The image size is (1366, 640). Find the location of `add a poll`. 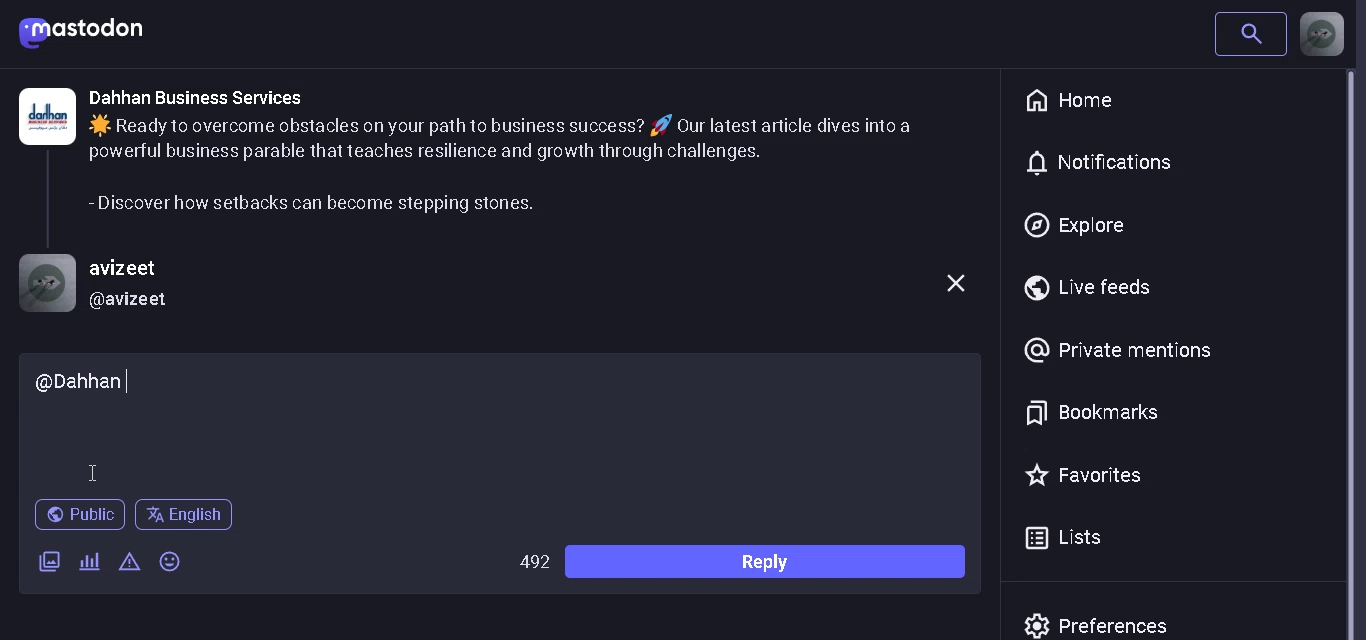

add a poll is located at coordinates (88, 564).